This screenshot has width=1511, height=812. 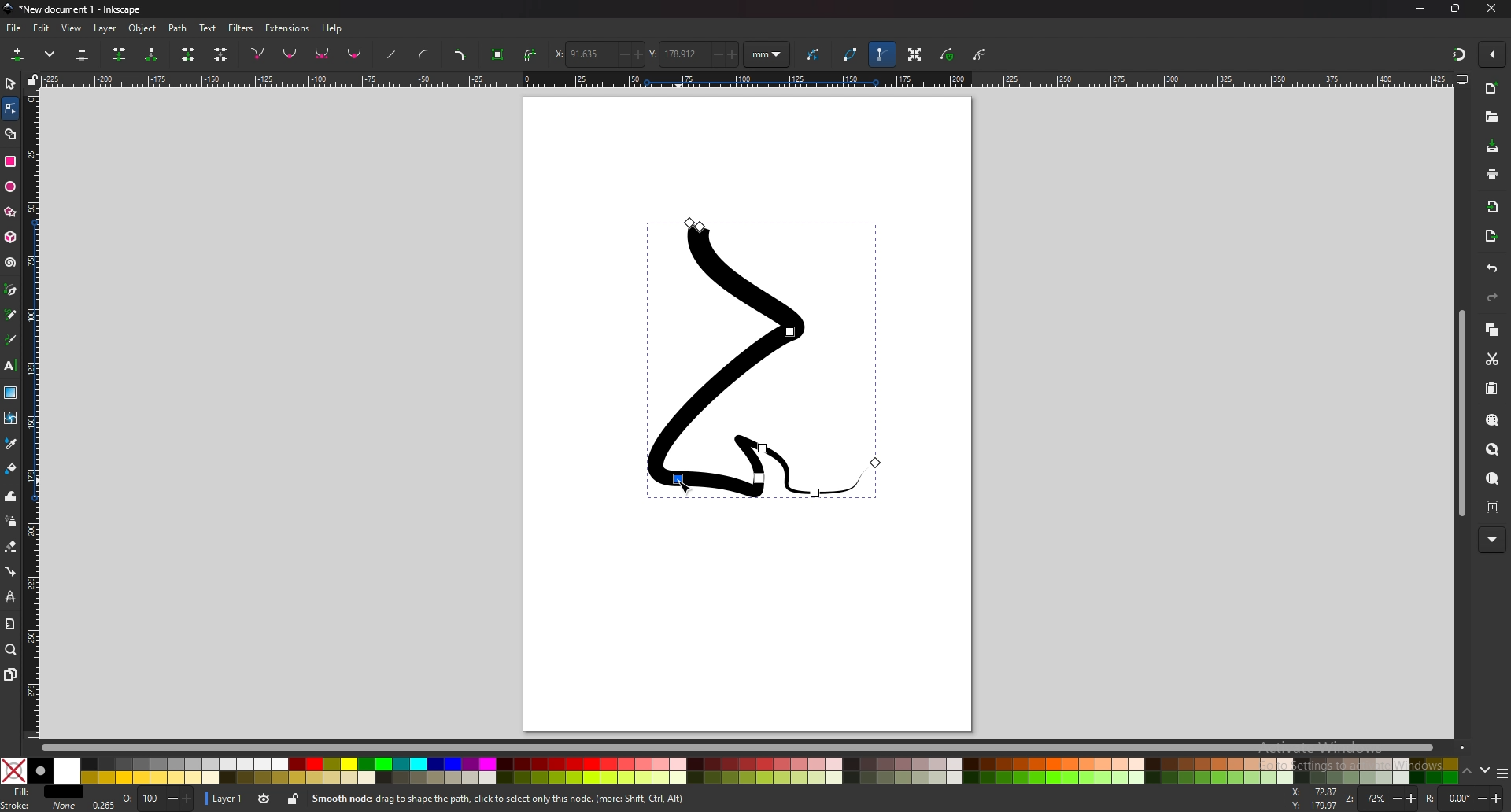 I want to click on symmetric, so click(x=323, y=54).